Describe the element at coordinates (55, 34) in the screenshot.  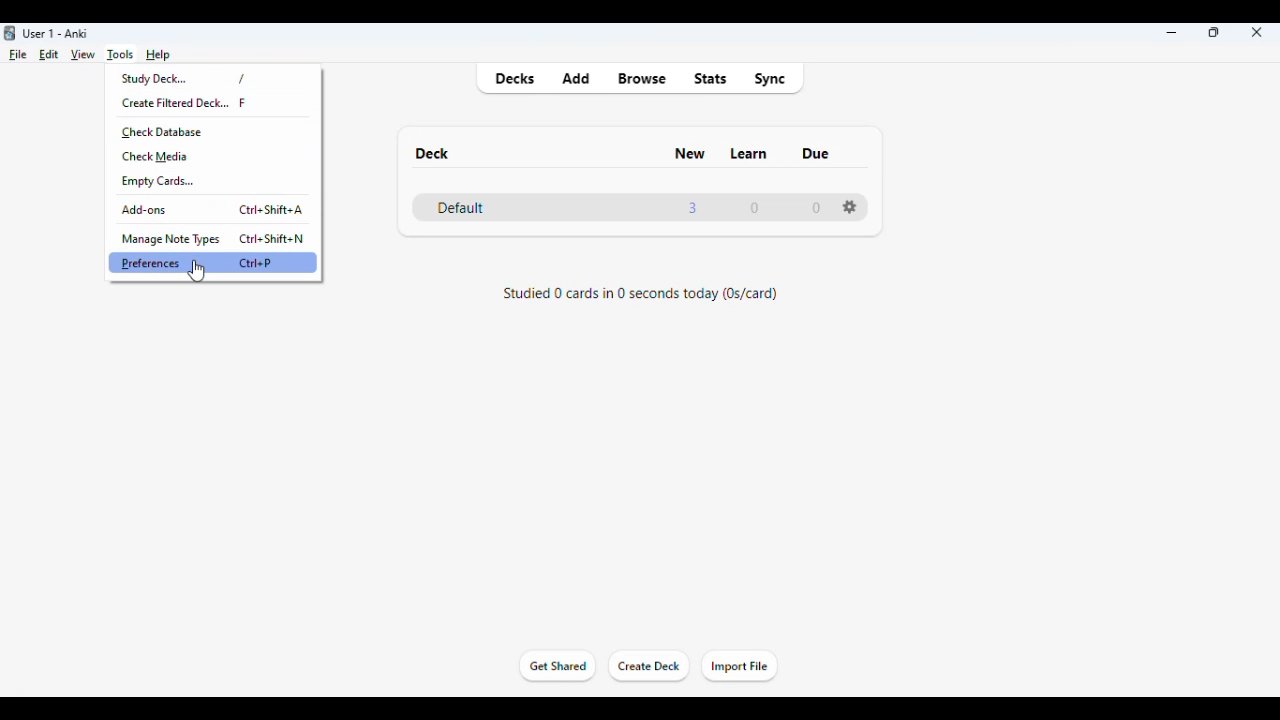
I see `Use 1 - Anki` at that location.